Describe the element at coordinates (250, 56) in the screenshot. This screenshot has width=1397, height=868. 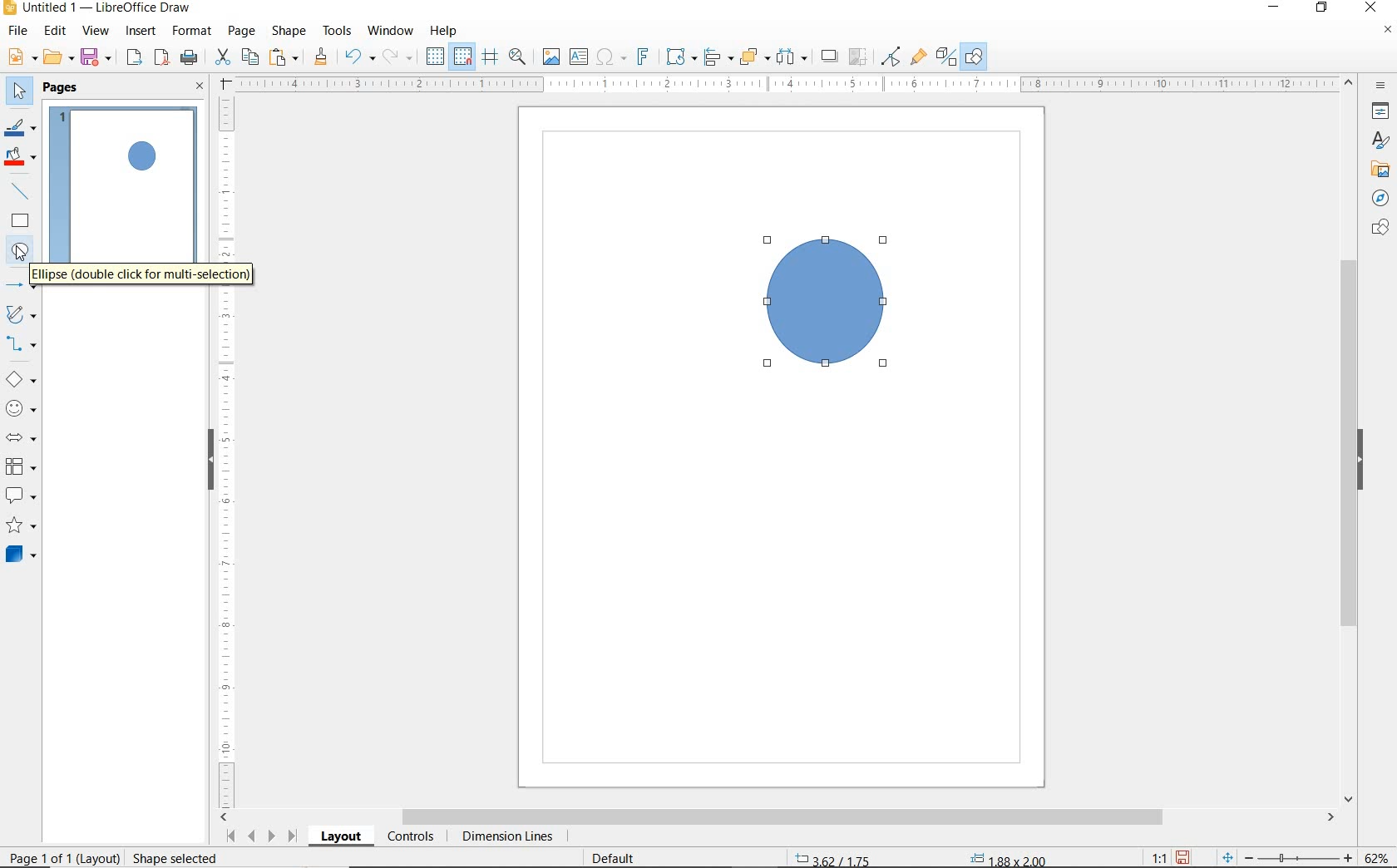
I see `COPY` at that location.